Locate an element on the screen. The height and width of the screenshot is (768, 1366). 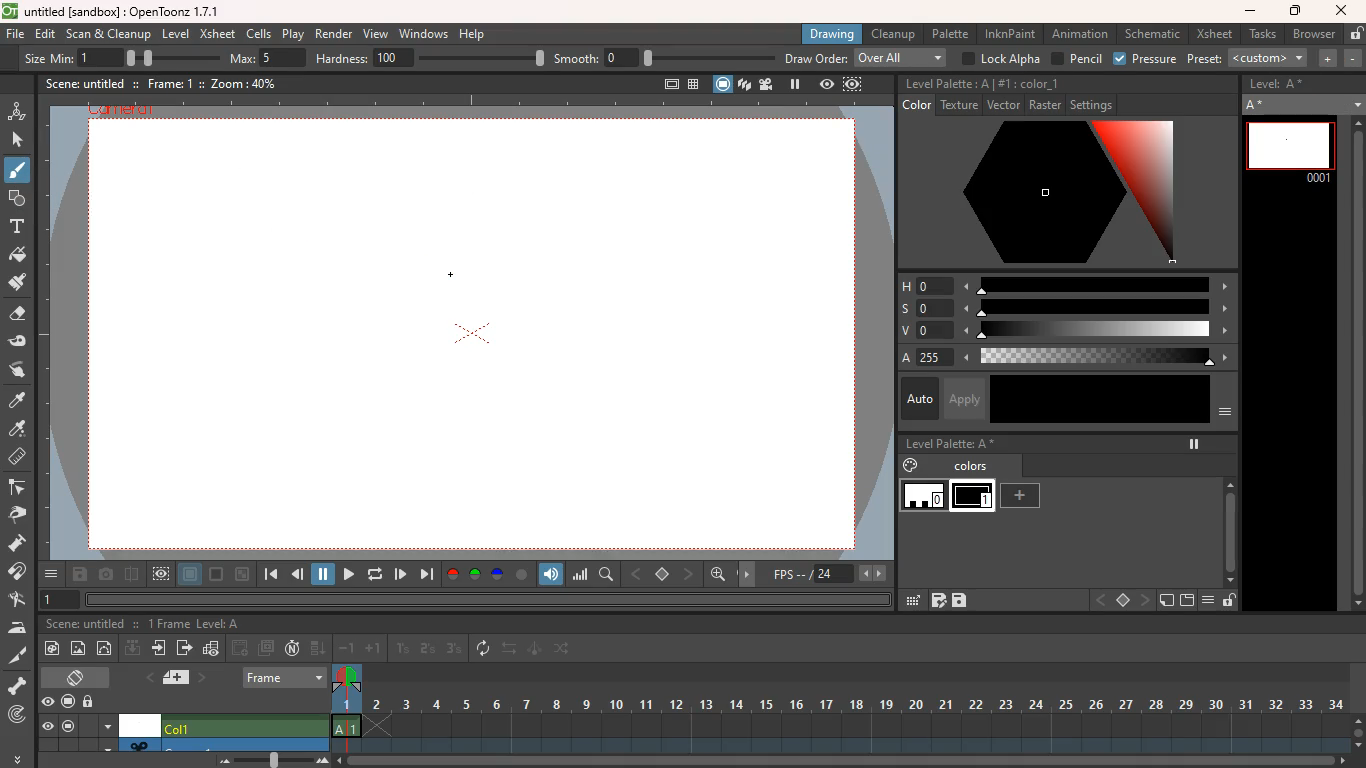
full screen is located at coordinates (663, 82).